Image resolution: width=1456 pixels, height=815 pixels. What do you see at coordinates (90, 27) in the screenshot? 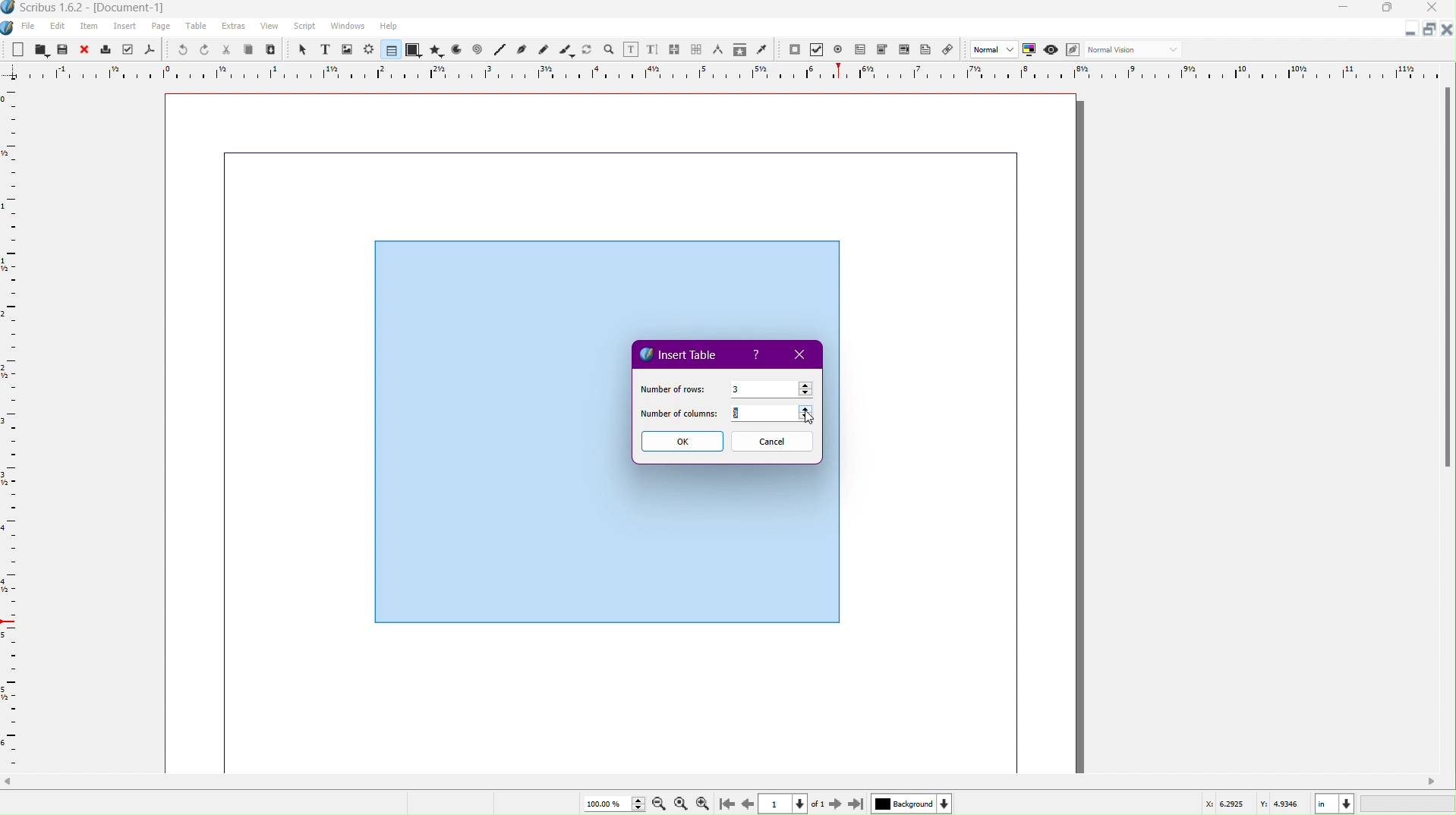
I see `Item` at bounding box center [90, 27].